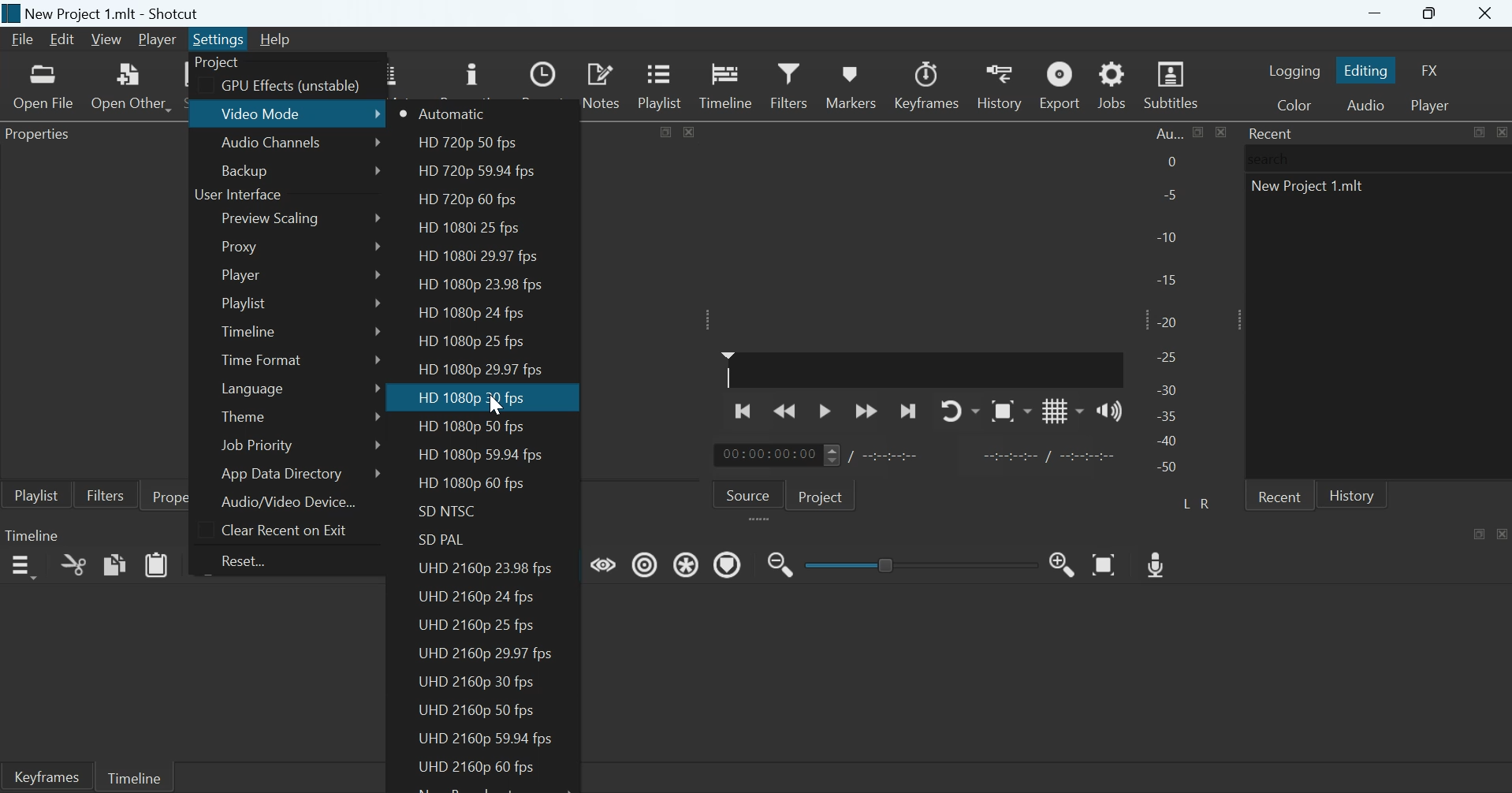  I want to click on History, so click(1352, 494).